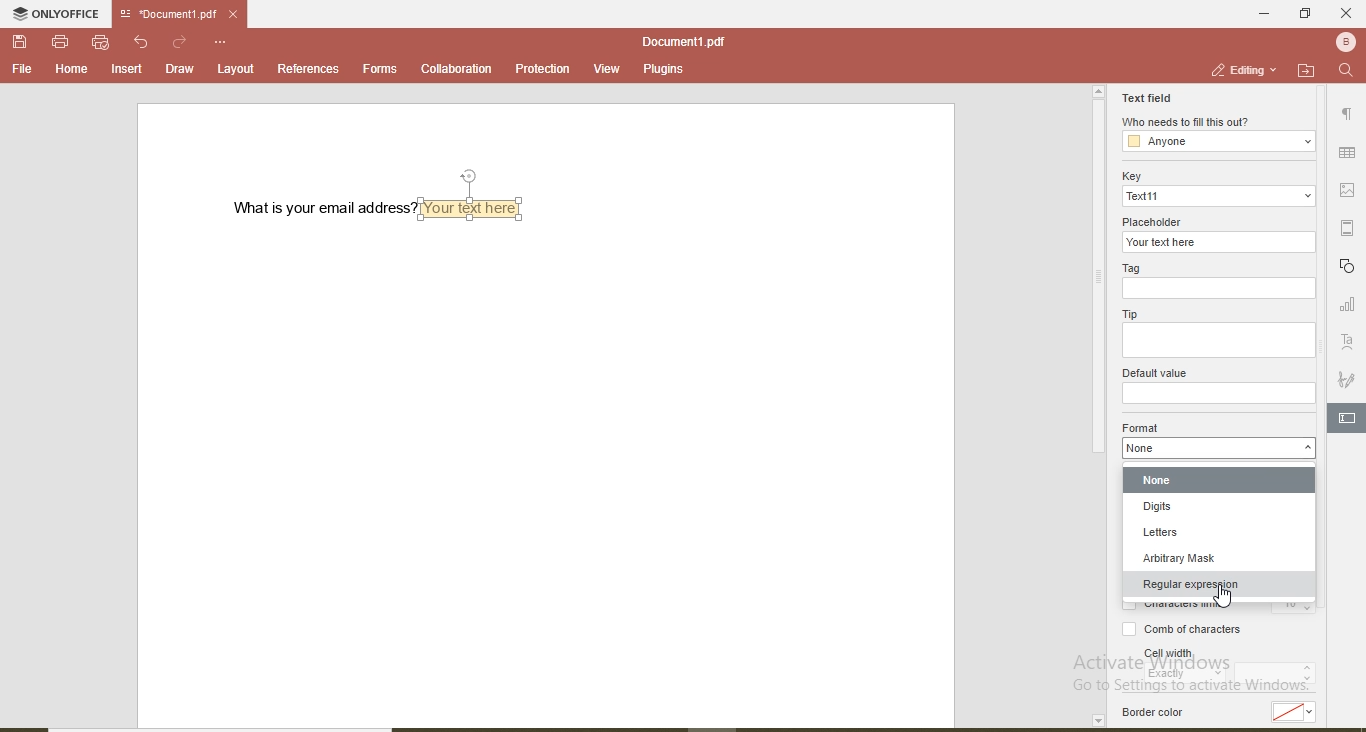 The image size is (1366, 732). Describe the element at coordinates (1136, 267) in the screenshot. I see `Tag` at that location.